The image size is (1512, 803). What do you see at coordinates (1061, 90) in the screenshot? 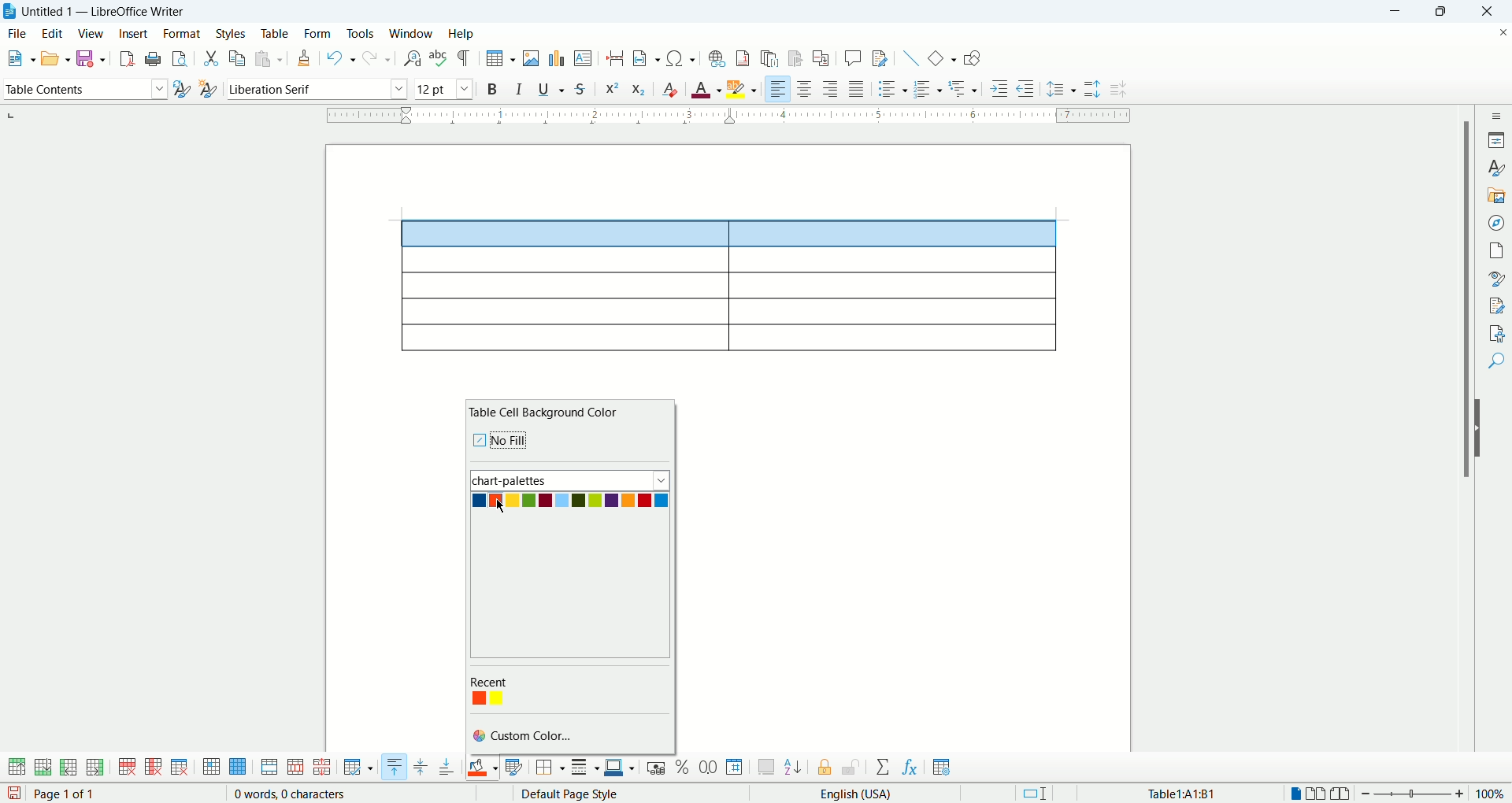
I see `set line spacing` at bounding box center [1061, 90].